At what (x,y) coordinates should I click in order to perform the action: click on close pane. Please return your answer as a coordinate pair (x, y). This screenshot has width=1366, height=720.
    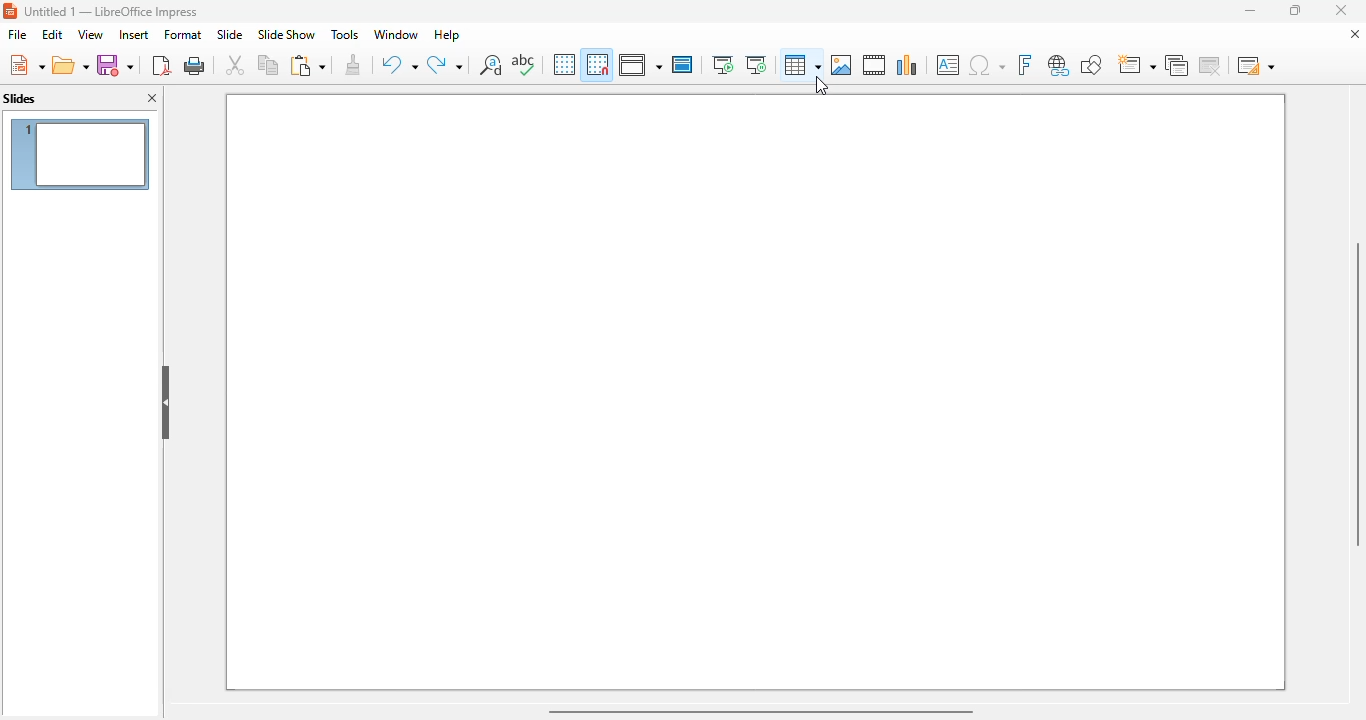
    Looking at the image, I should click on (153, 98).